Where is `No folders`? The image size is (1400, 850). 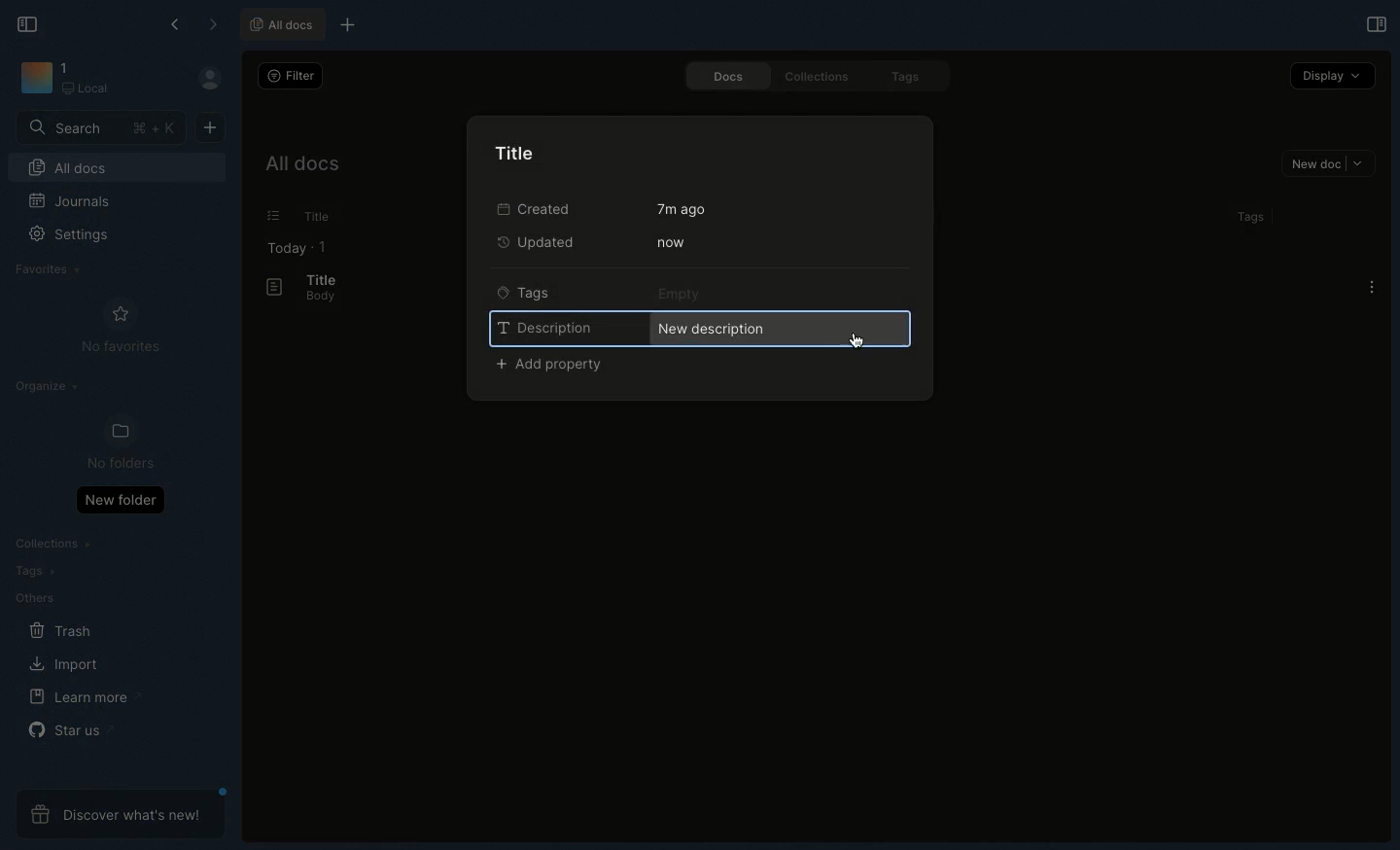 No folders is located at coordinates (113, 443).